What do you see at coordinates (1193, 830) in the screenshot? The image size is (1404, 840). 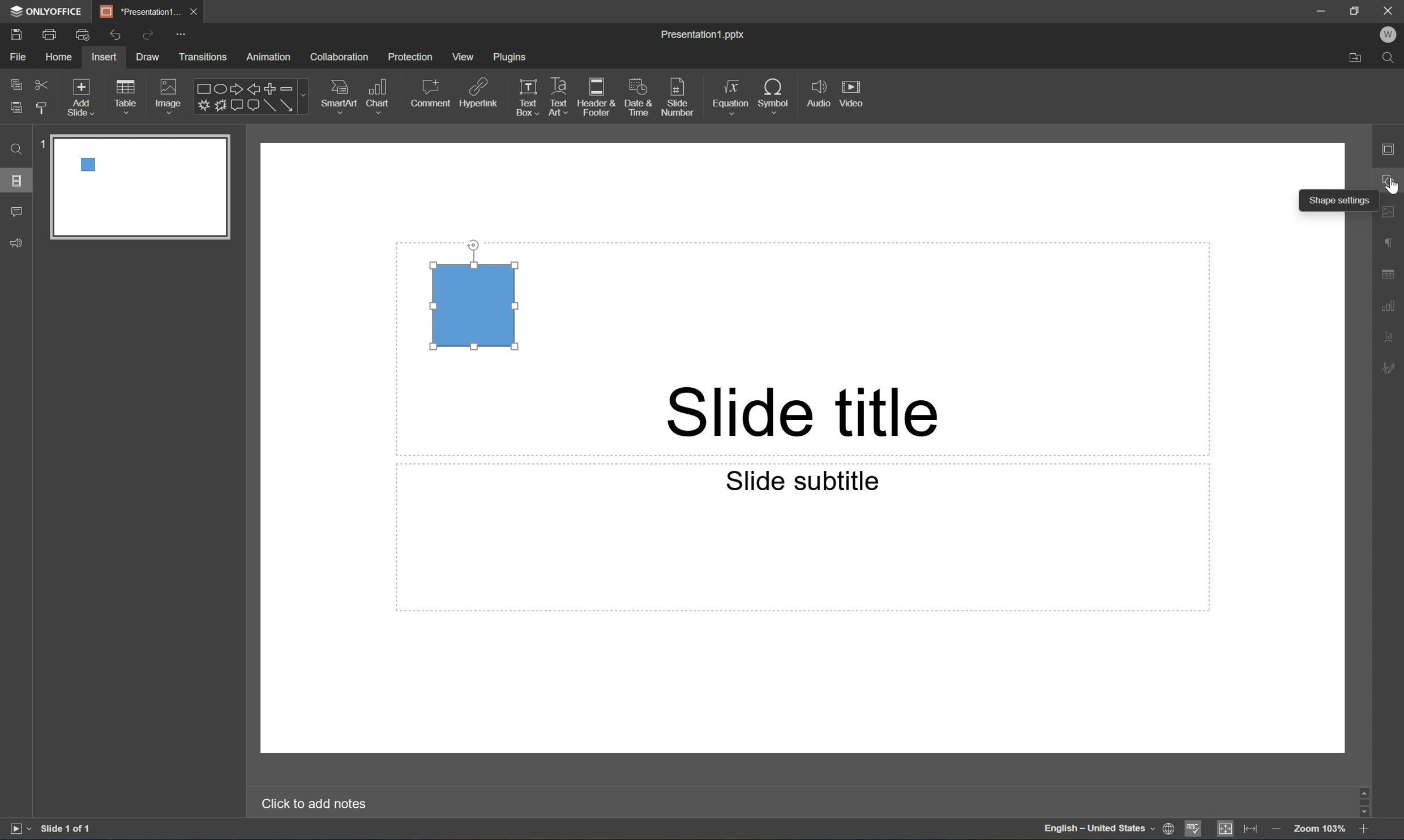 I see `Spell checking` at bounding box center [1193, 830].